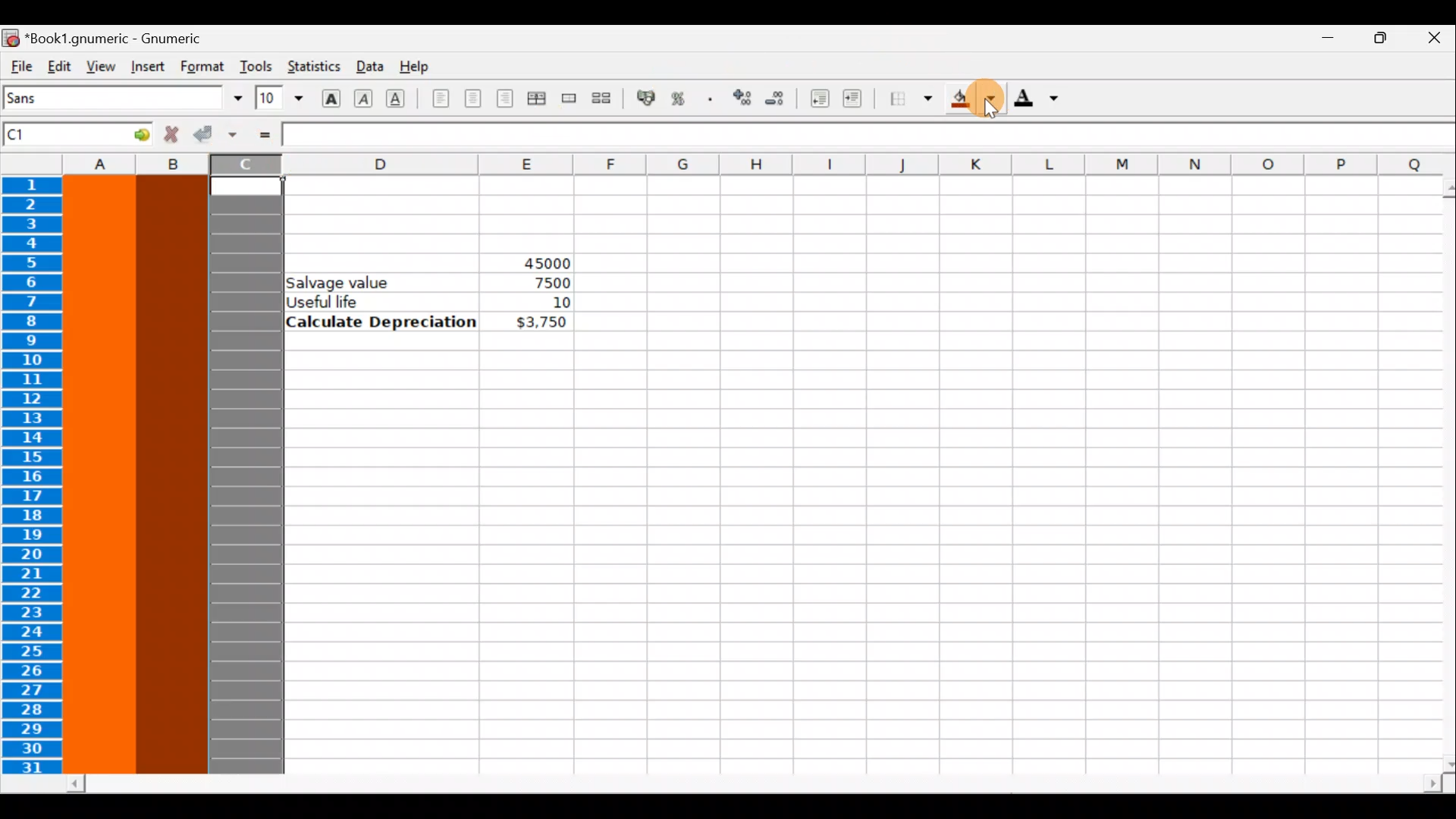 Image resolution: width=1456 pixels, height=819 pixels. What do you see at coordinates (711, 99) in the screenshot?
I see `Include thousands separator` at bounding box center [711, 99].